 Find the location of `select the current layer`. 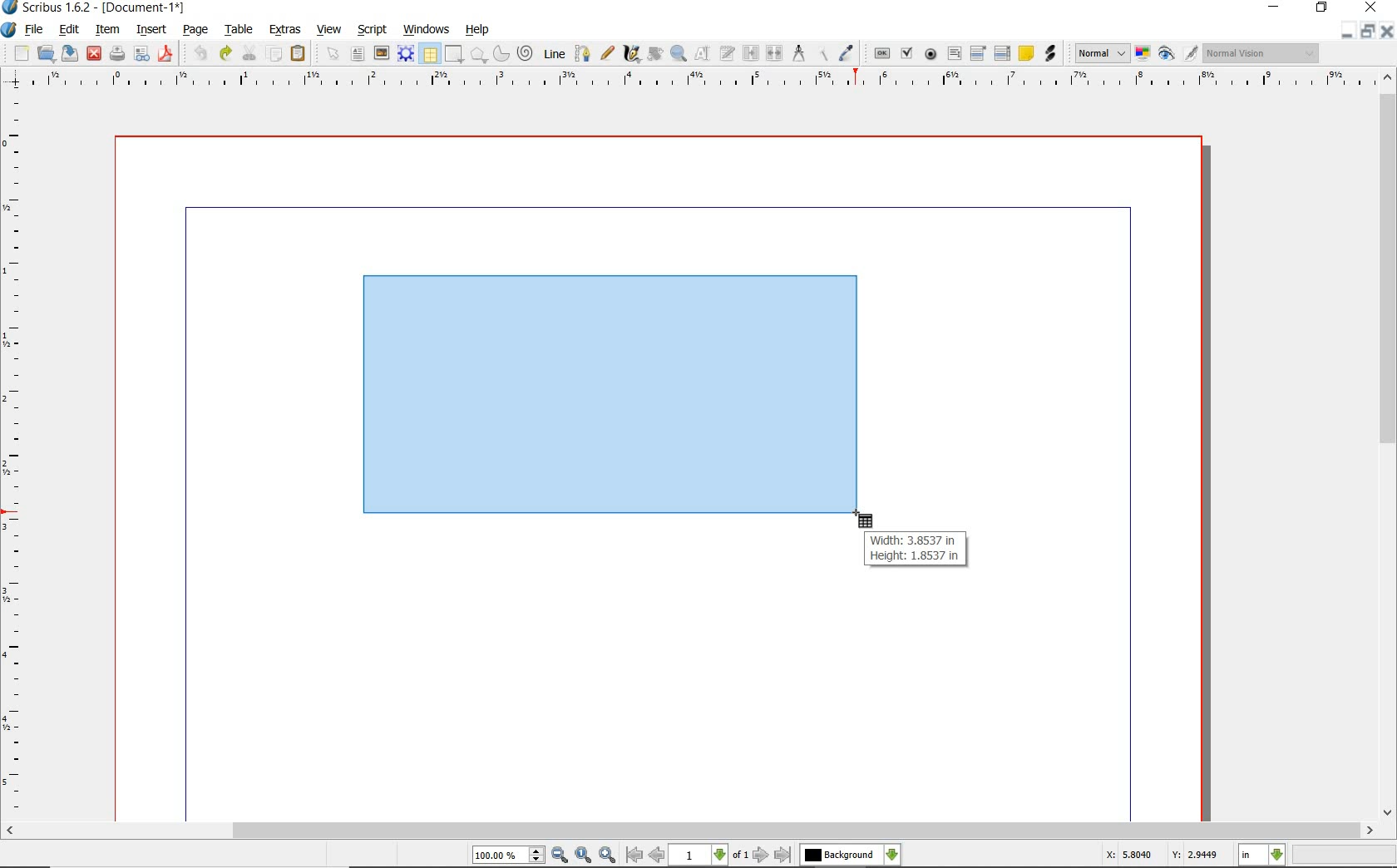

select the current layer is located at coordinates (850, 855).